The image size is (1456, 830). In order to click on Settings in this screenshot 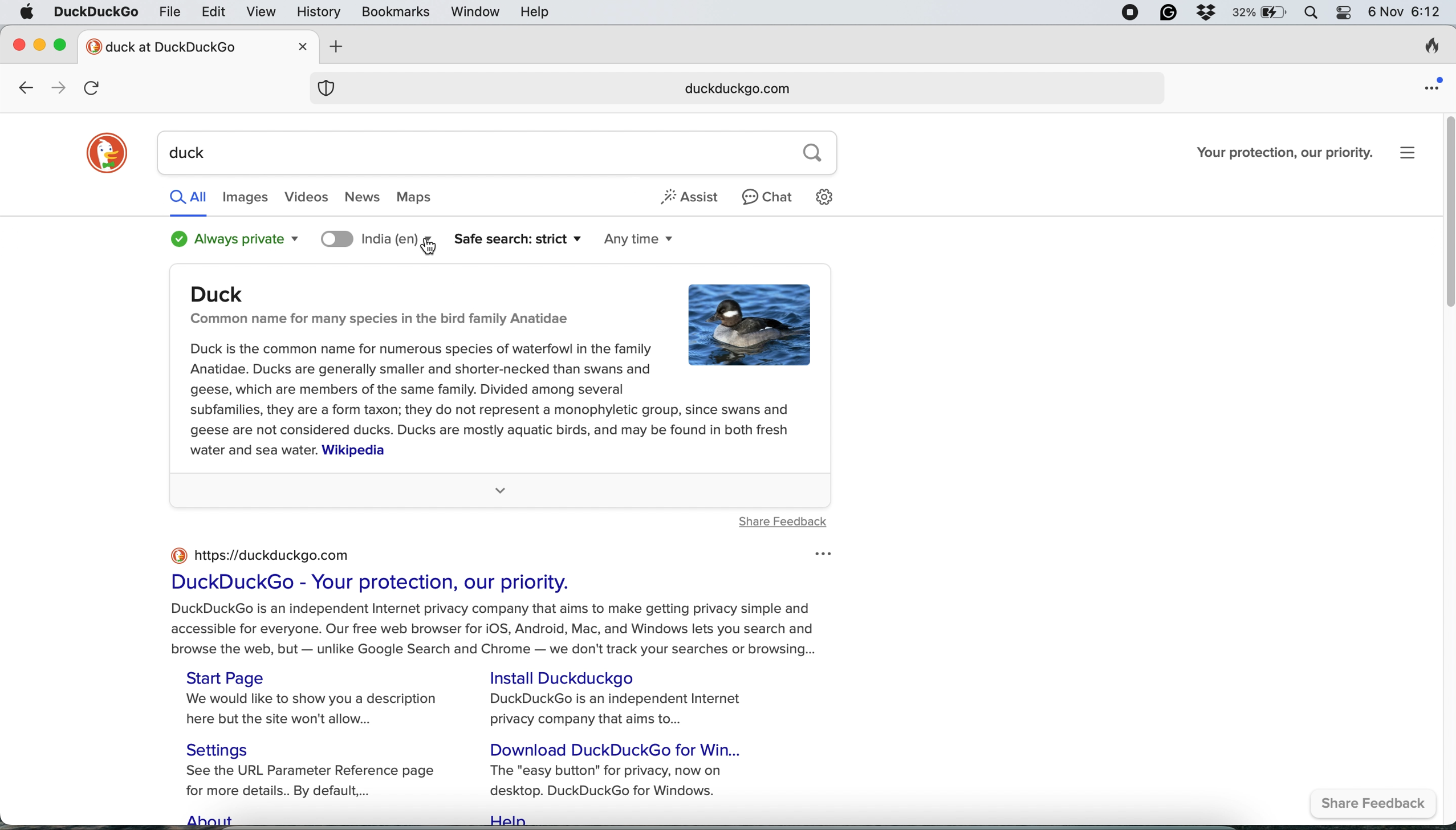, I will do `click(225, 748)`.